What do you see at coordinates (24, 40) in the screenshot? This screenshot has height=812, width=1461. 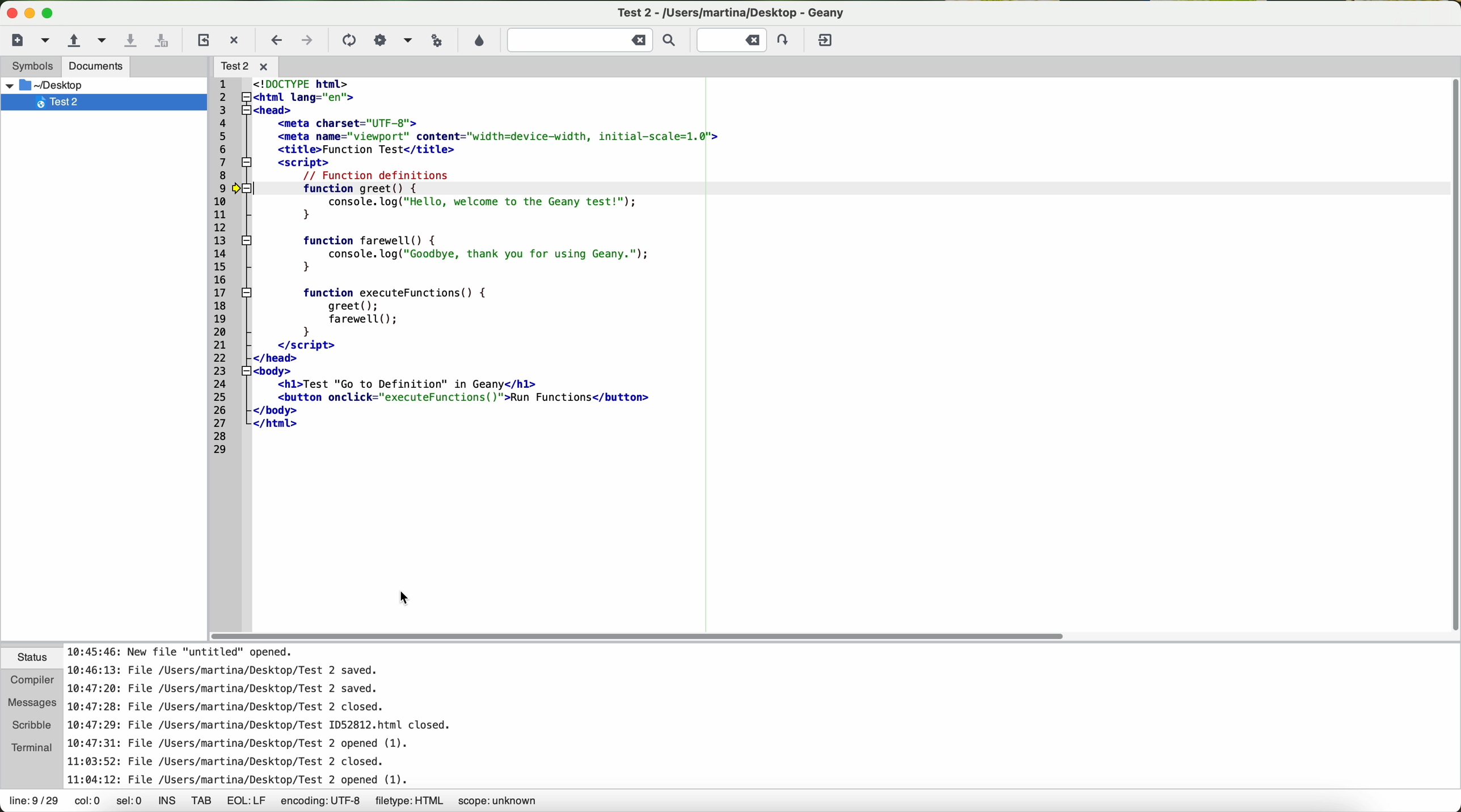 I see `new file` at bounding box center [24, 40].